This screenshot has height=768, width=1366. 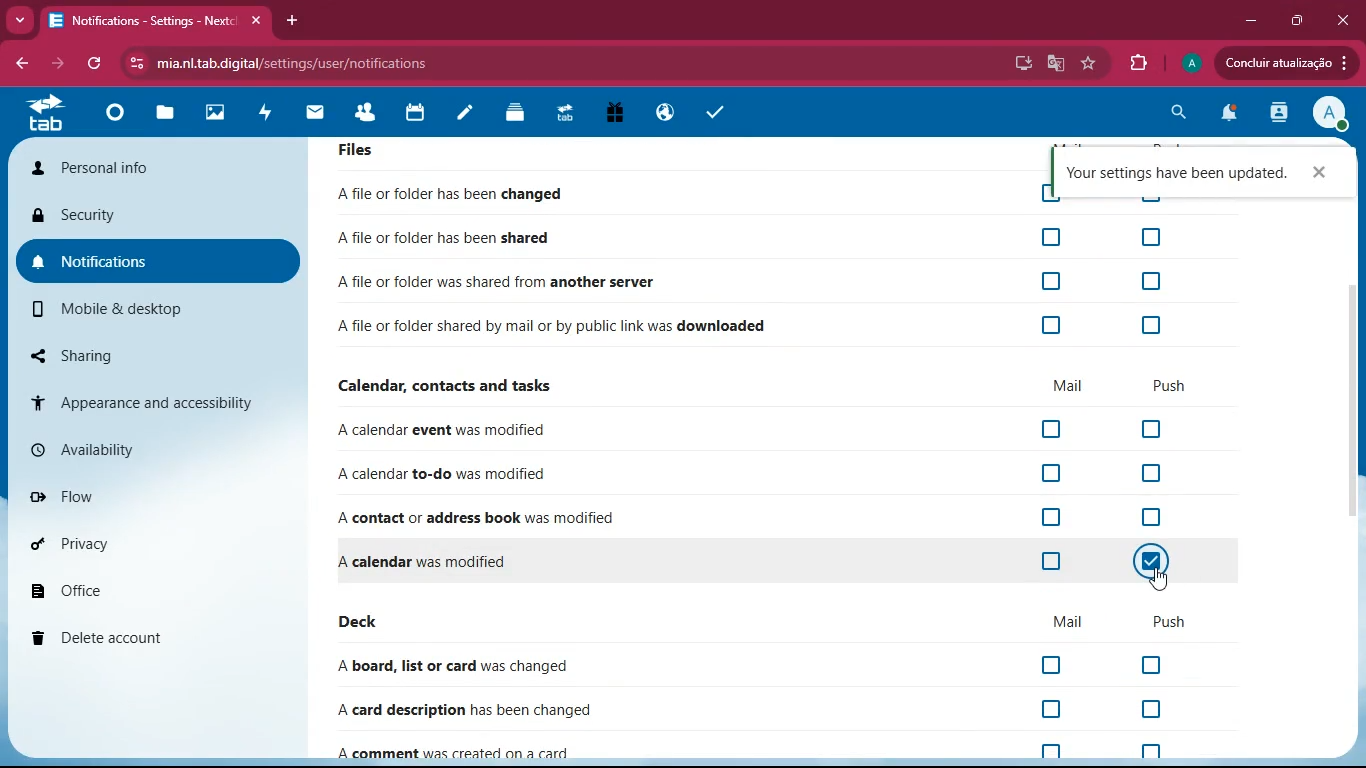 What do you see at coordinates (459, 385) in the screenshot?
I see `calendar` at bounding box center [459, 385].